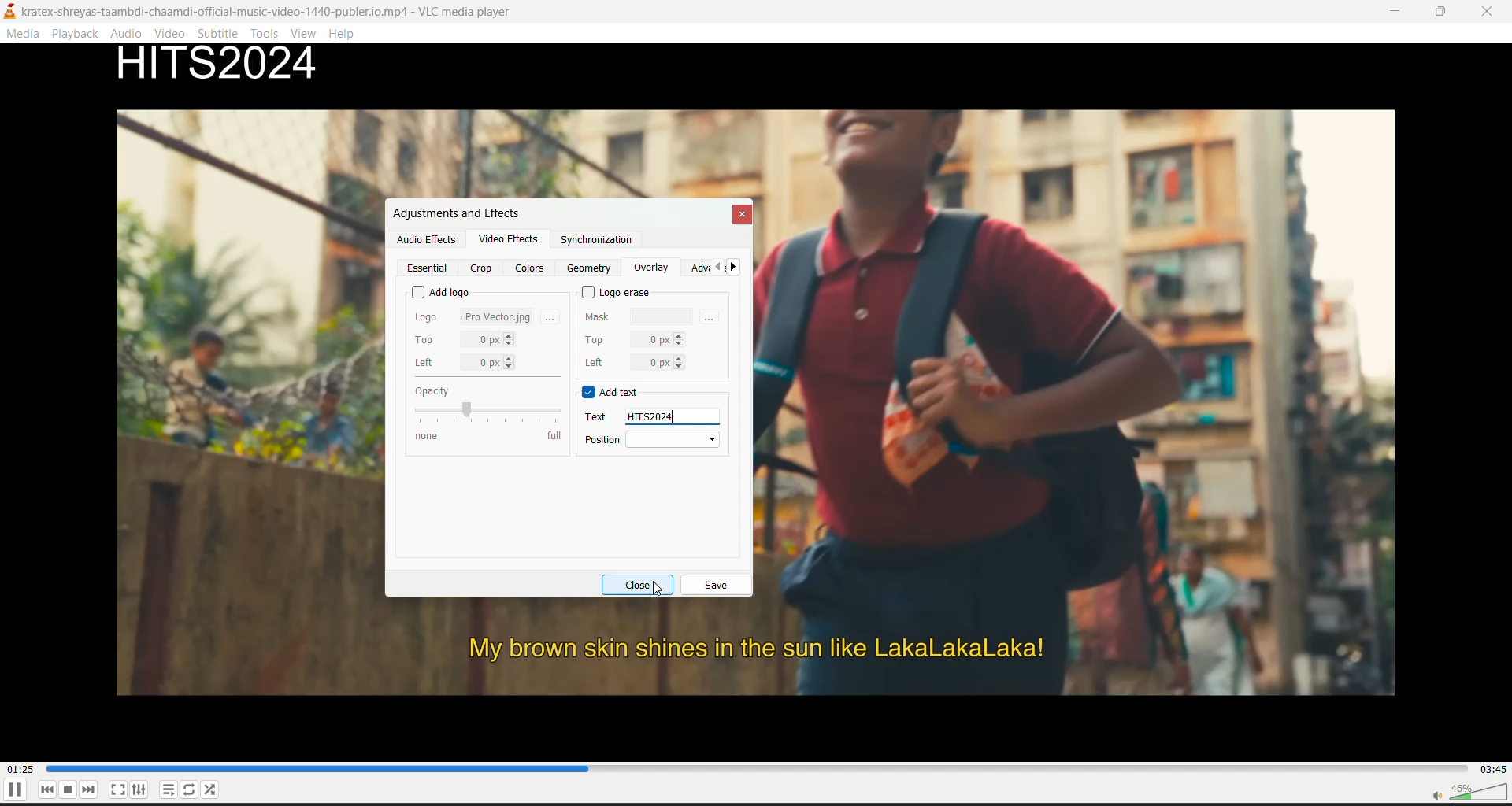  Describe the element at coordinates (1095, 353) in the screenshot. I see `Image of a kid` at that location.